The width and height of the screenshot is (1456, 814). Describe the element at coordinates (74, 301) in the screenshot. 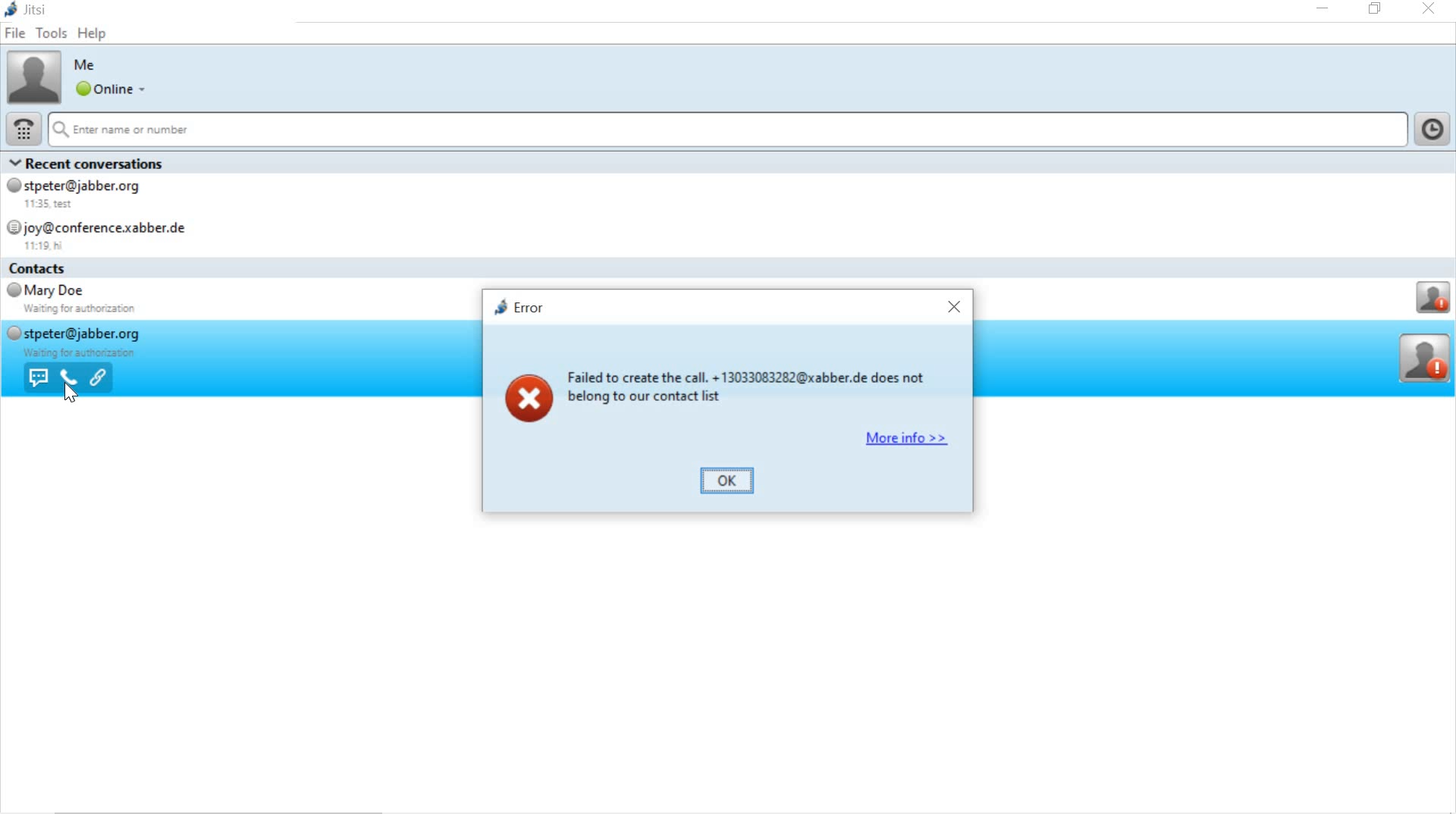

I see ` Mary Doe Waiting for authorizaton` at that location.